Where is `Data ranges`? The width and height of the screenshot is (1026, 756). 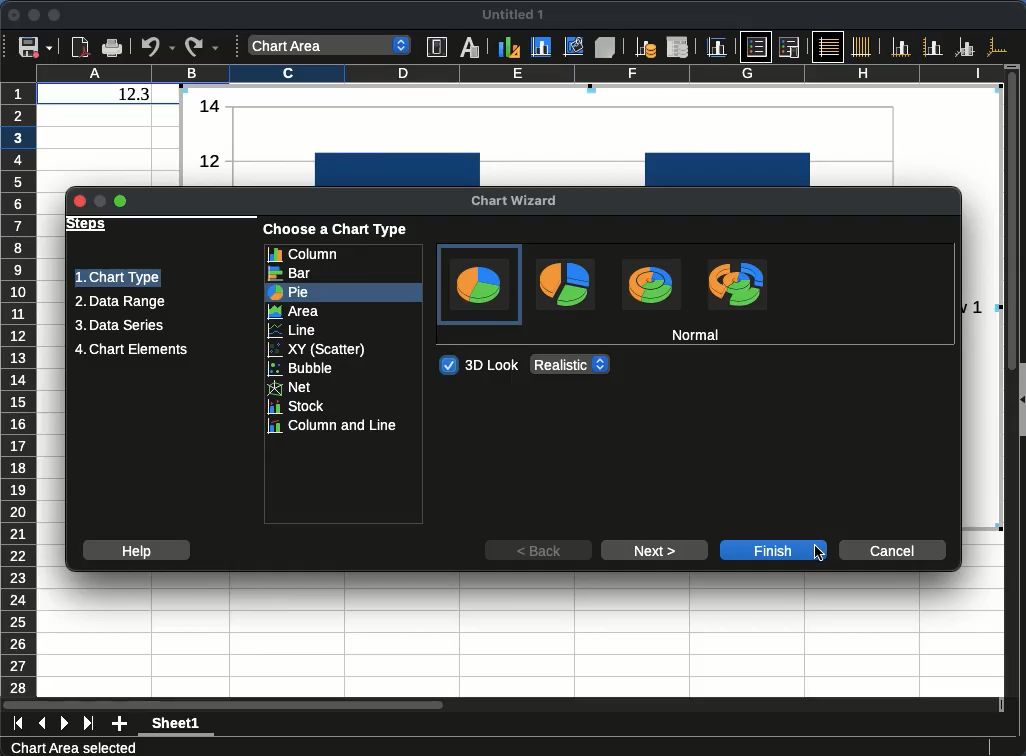 Data ranges is located at coordinates (645, 47).